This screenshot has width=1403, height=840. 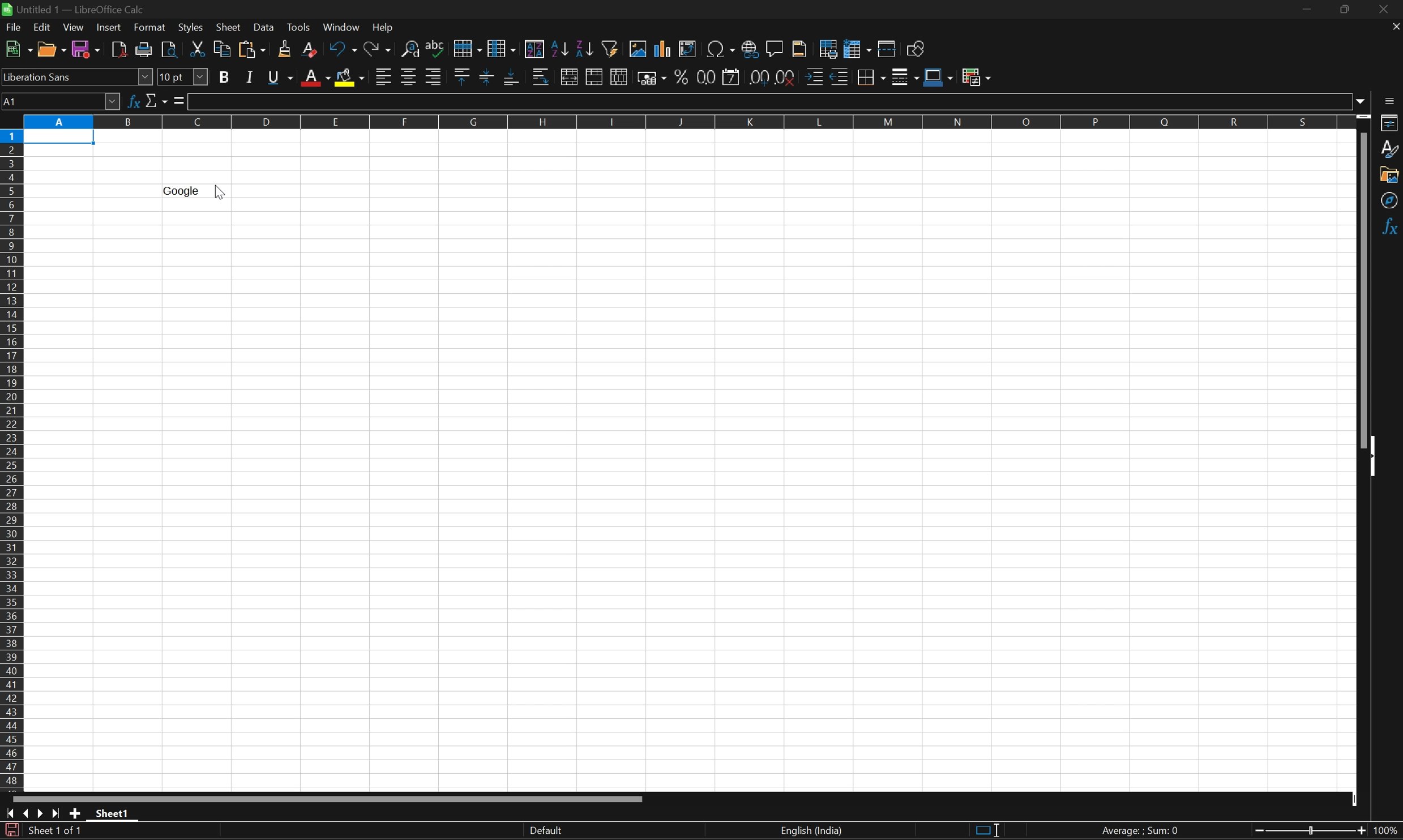 I want to click on Scroll bar, so click(x=328, y=799).